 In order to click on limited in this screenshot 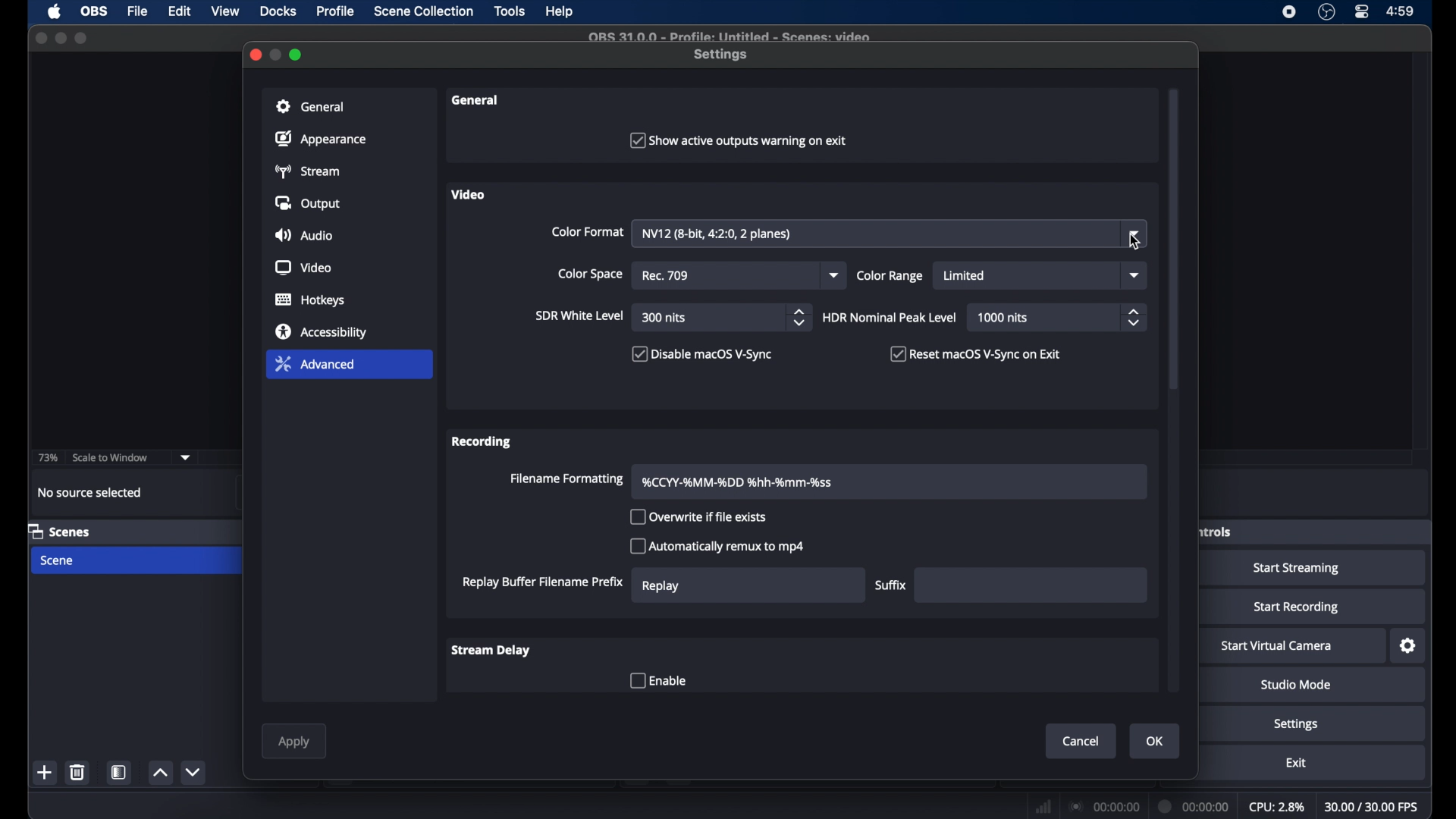, I will do `click(965, 275)`.